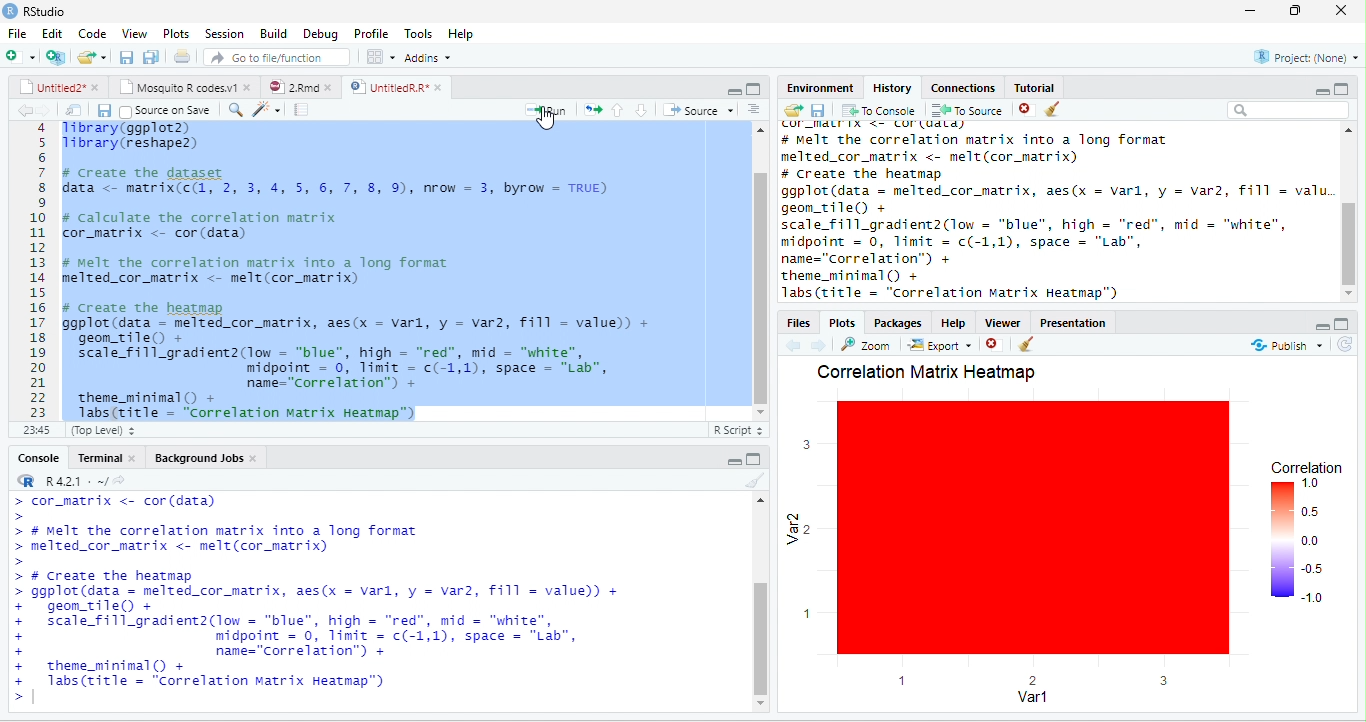 This screenshot has height=722, width=1366. I want to click on search, so click(259, 109).